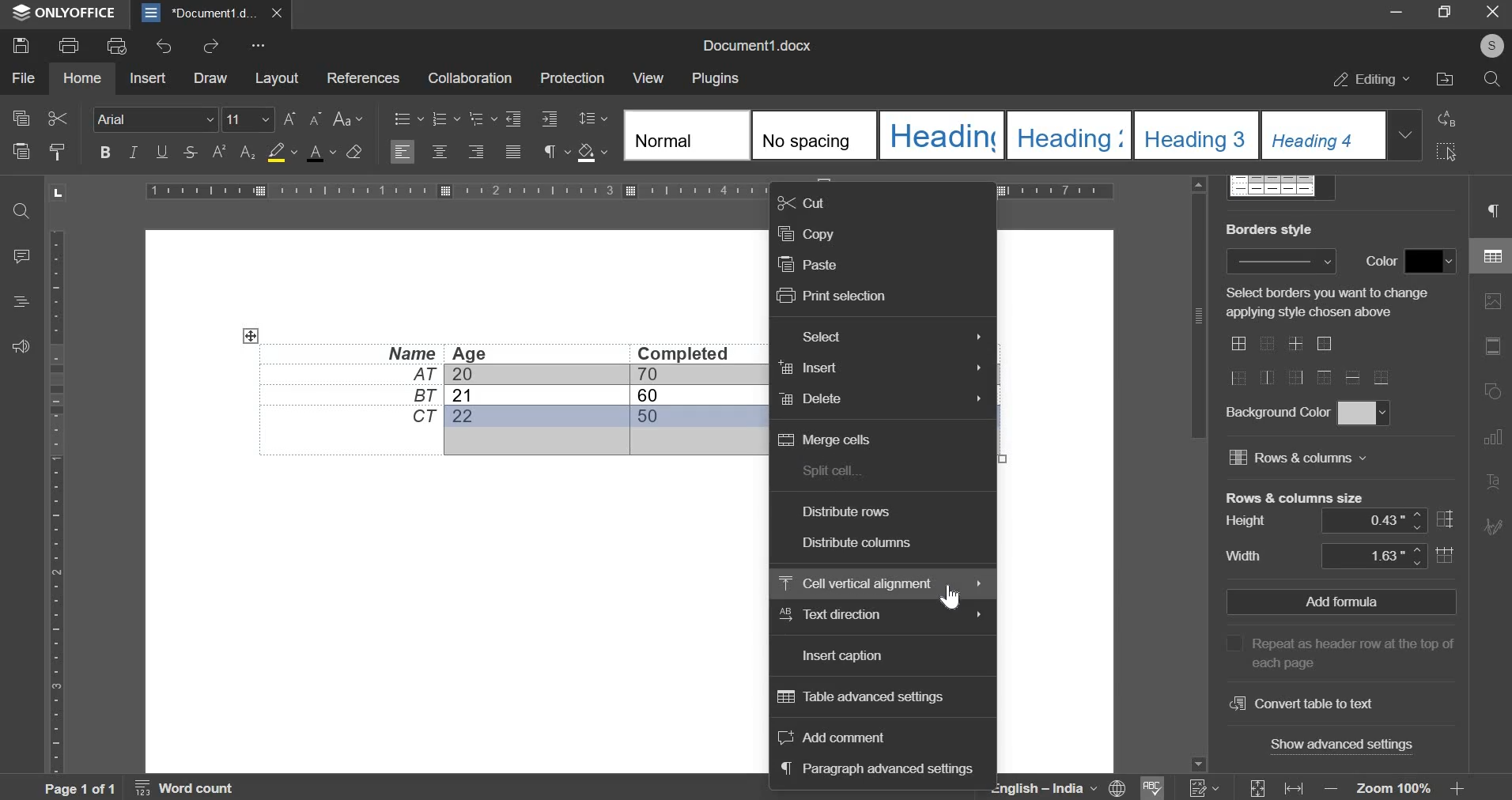 The width and height of the screenshot is (1512, 800). I want to click on height, so click(1381, 520).